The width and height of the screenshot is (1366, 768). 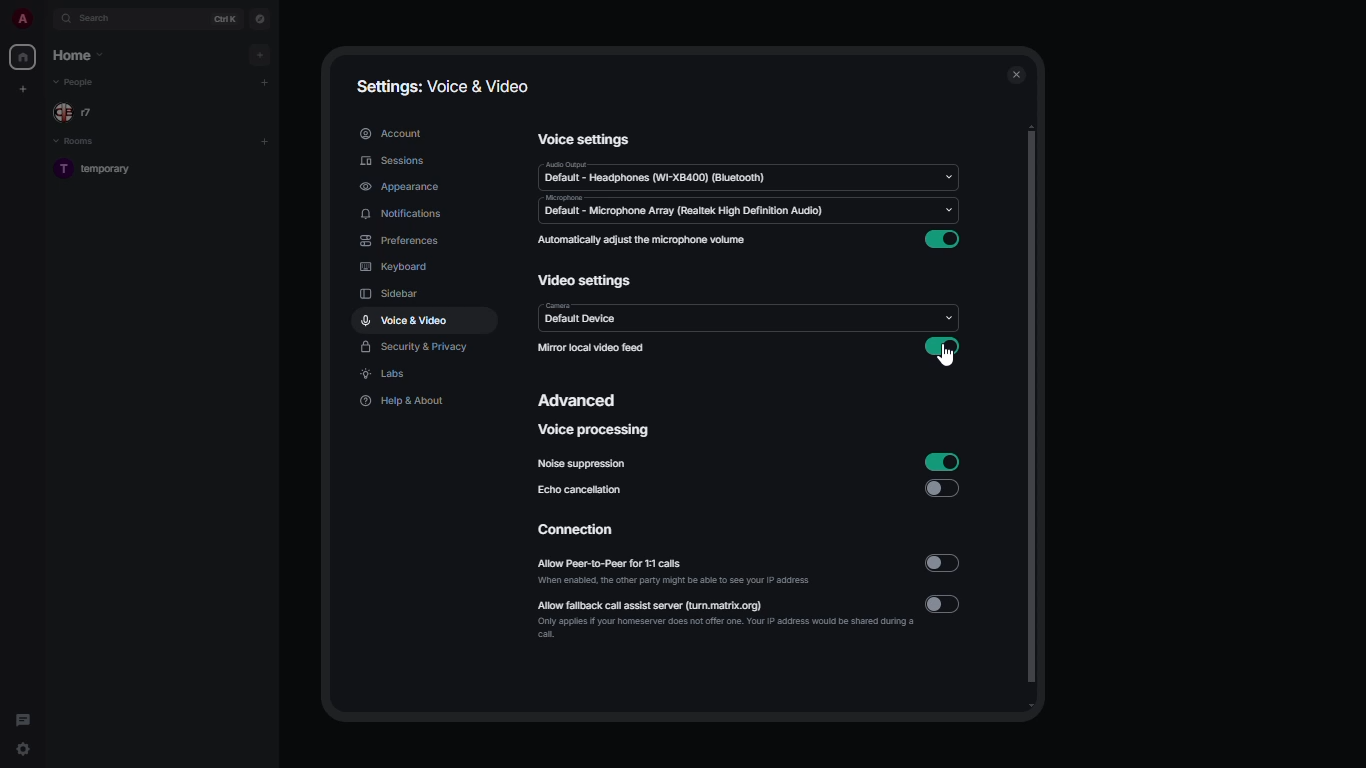 What do you see at coordinates (22, 716) in the screenshot?
I see `threads` at bounding box center [22, 716].